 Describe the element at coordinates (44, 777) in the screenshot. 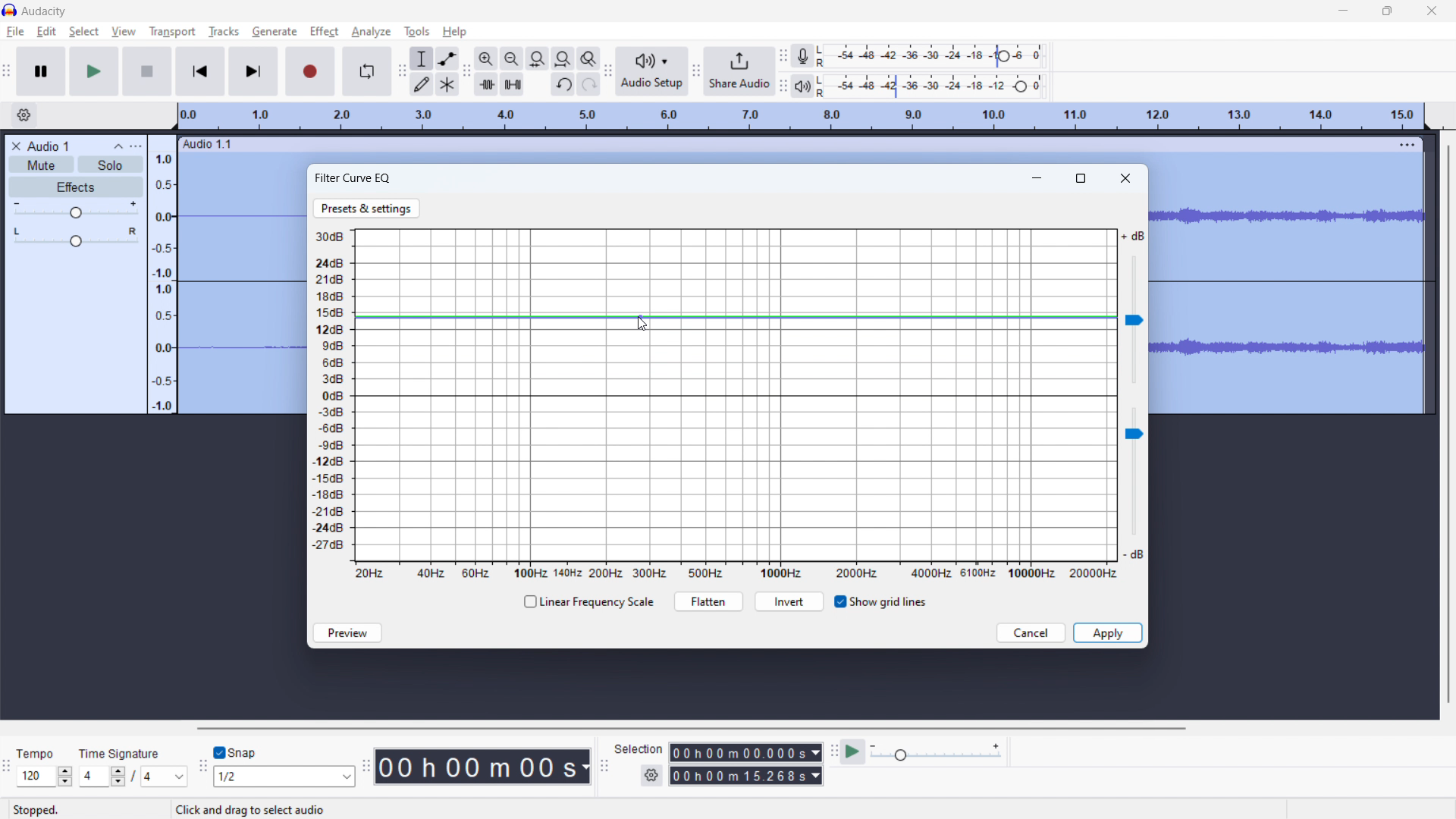

I see `120 (select tempo )` at that location.